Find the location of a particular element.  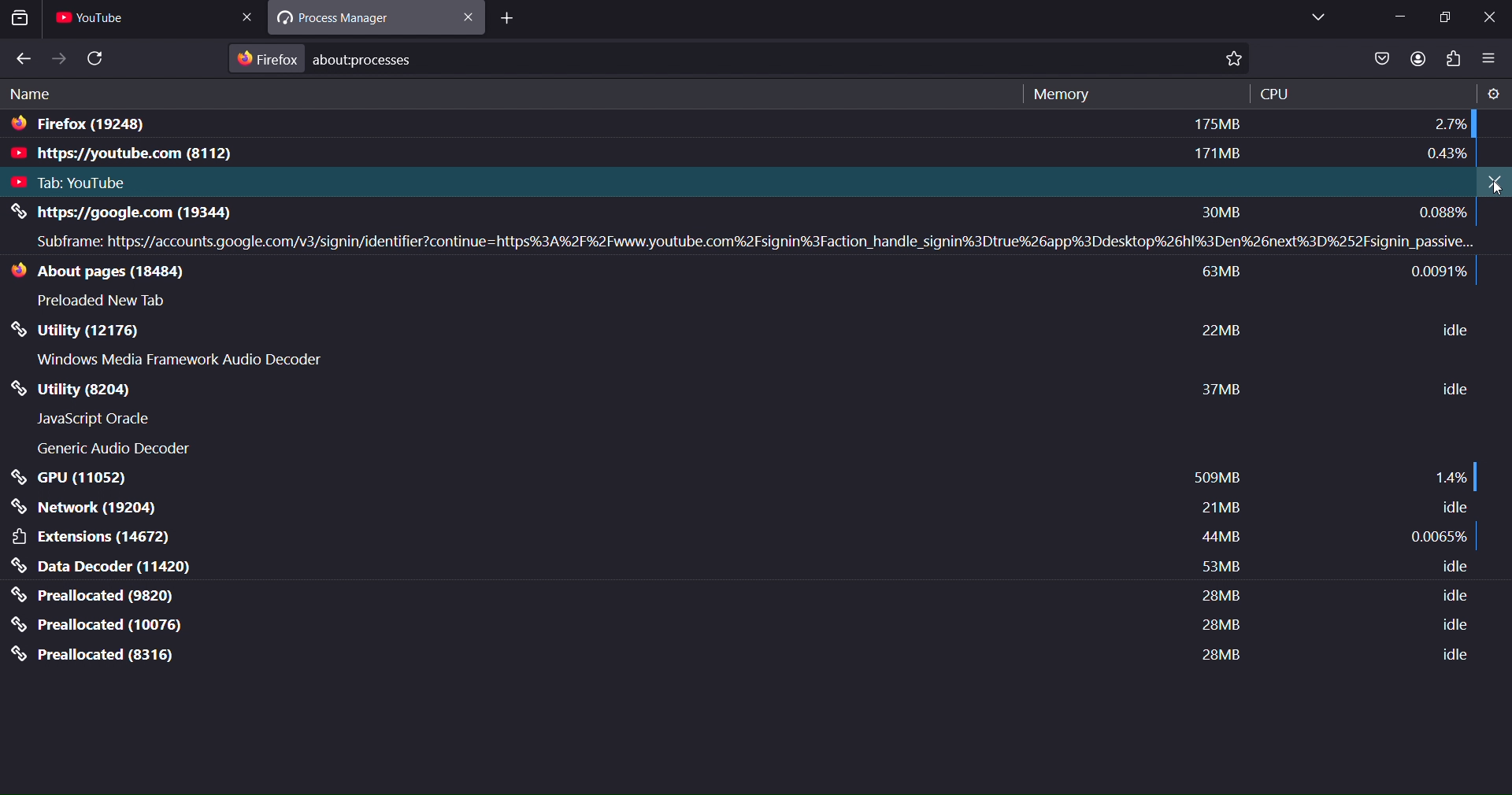

idle is located at coordinates (1448, 597).